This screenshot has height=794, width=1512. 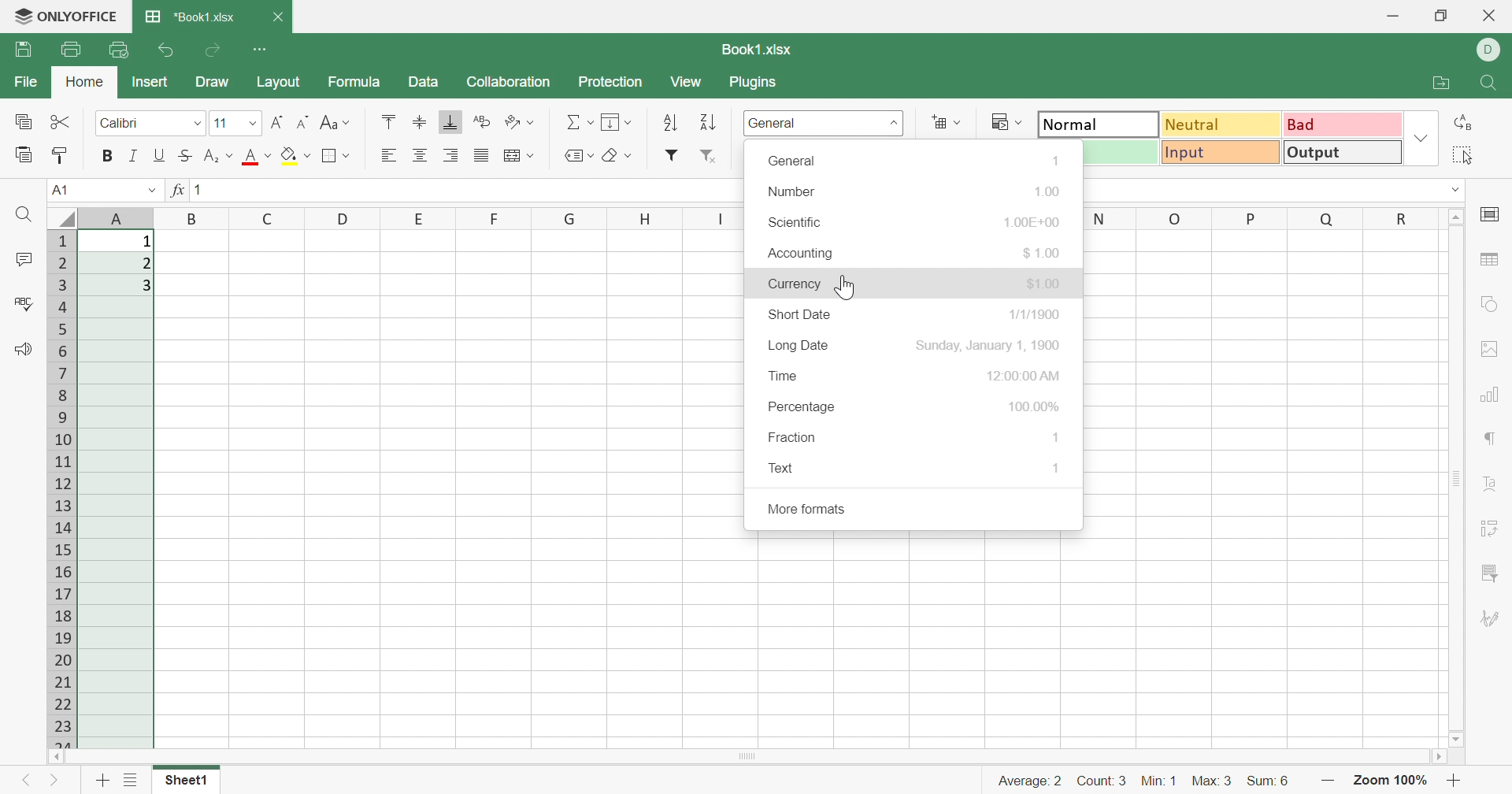 What do you see at coordinates (480, 154) in the screenshot?
I see `Justified` at bounding box center [480, 154].